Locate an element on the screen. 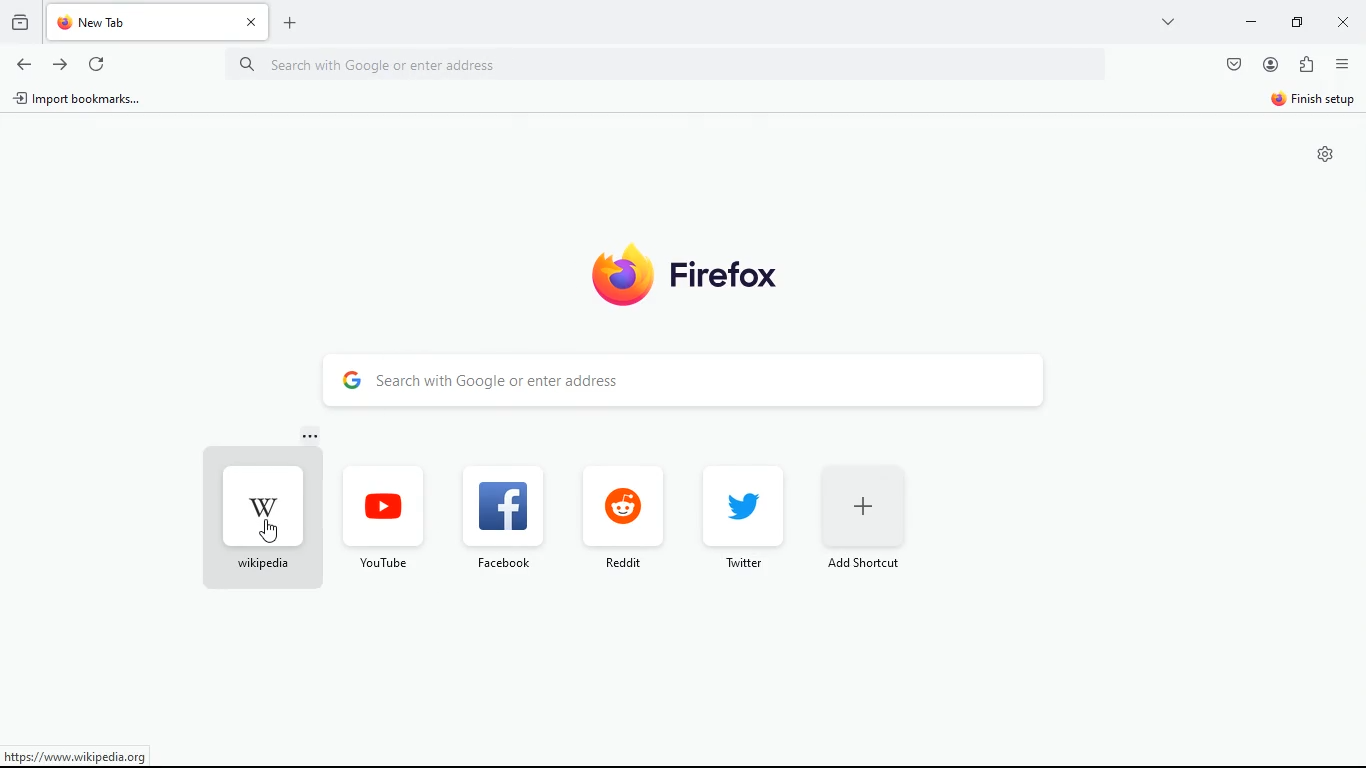 This screenshot has width=1366, height=768. wikipedia is located at coordinates (263, 564).